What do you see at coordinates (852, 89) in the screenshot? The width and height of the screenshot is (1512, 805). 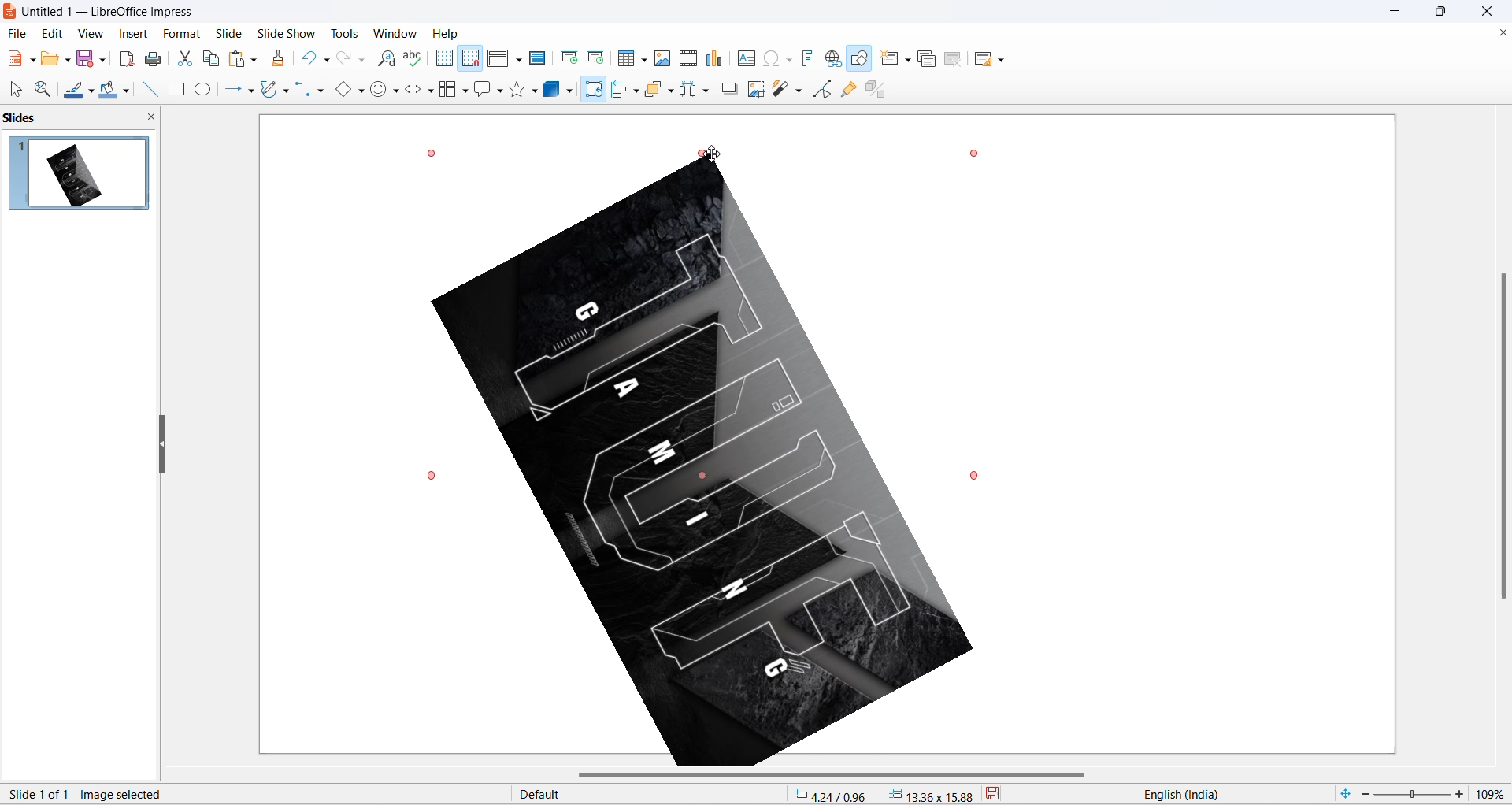 I see `show gluepoint functions` at bounding box center [852, 89].